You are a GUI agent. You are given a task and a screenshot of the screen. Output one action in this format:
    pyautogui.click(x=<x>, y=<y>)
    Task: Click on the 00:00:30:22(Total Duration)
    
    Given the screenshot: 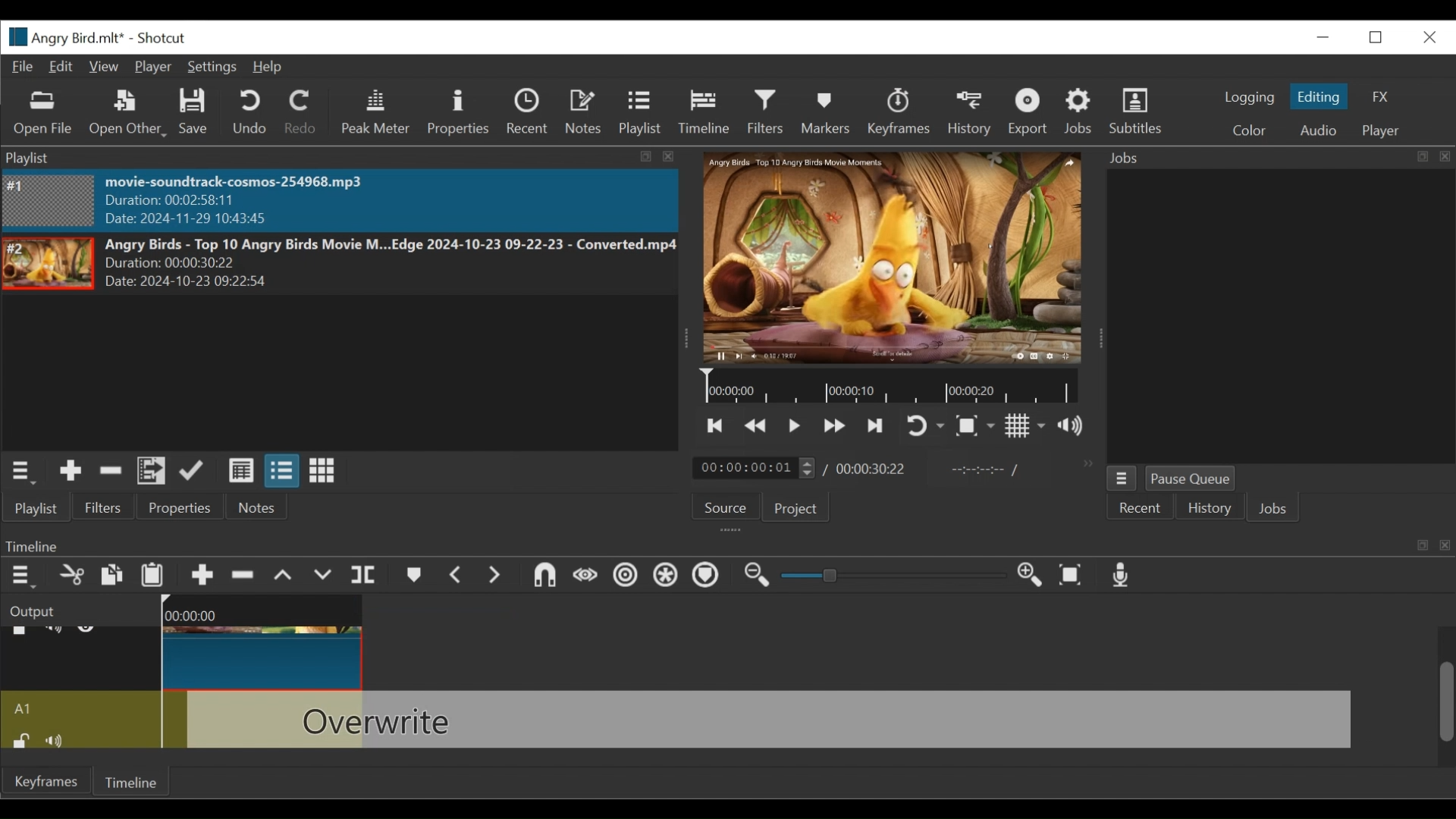 What is the action you would take?
    pyautogui.click(x=868, y=469)
    